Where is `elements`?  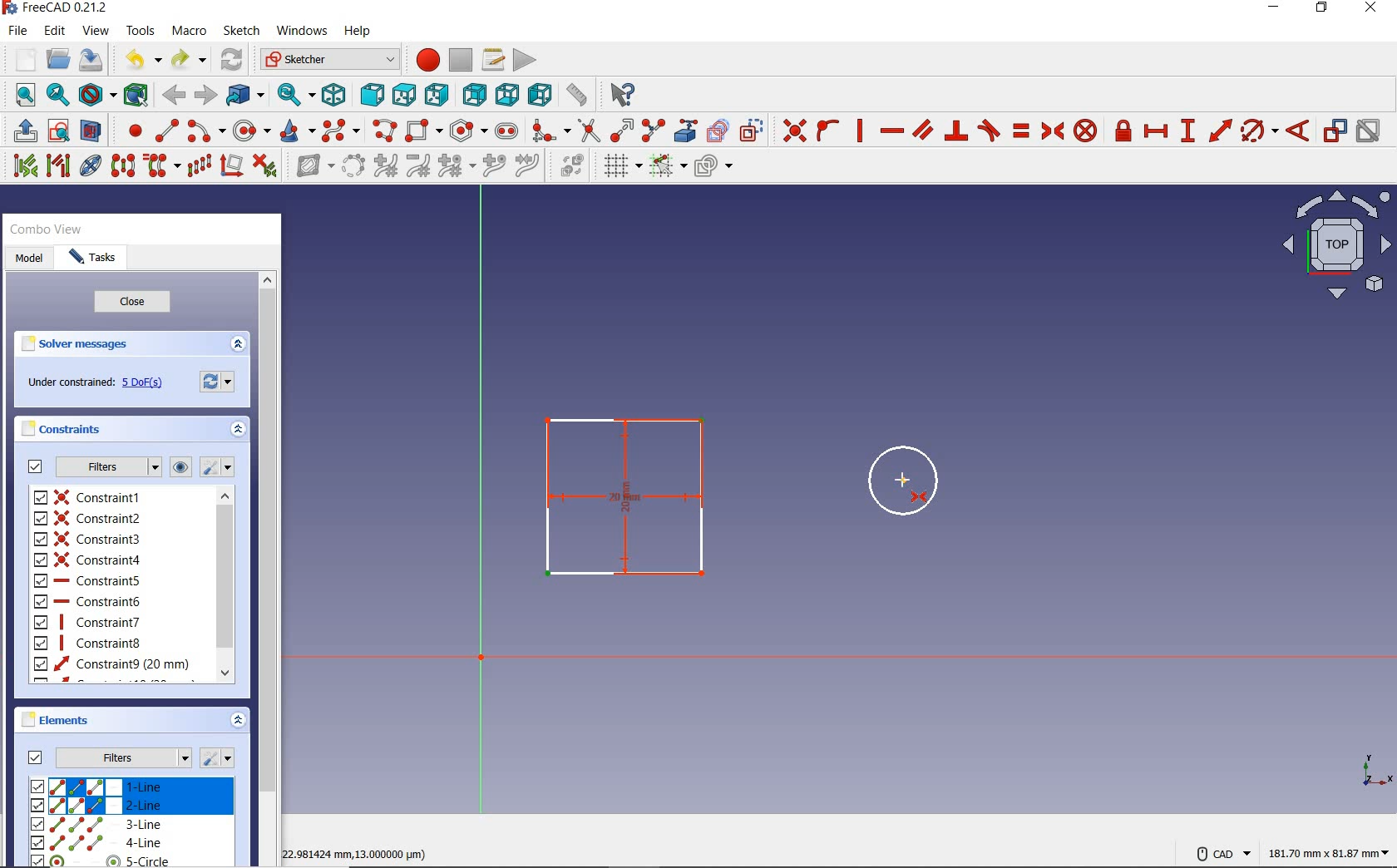 elements is located at coordinates (71, 721).